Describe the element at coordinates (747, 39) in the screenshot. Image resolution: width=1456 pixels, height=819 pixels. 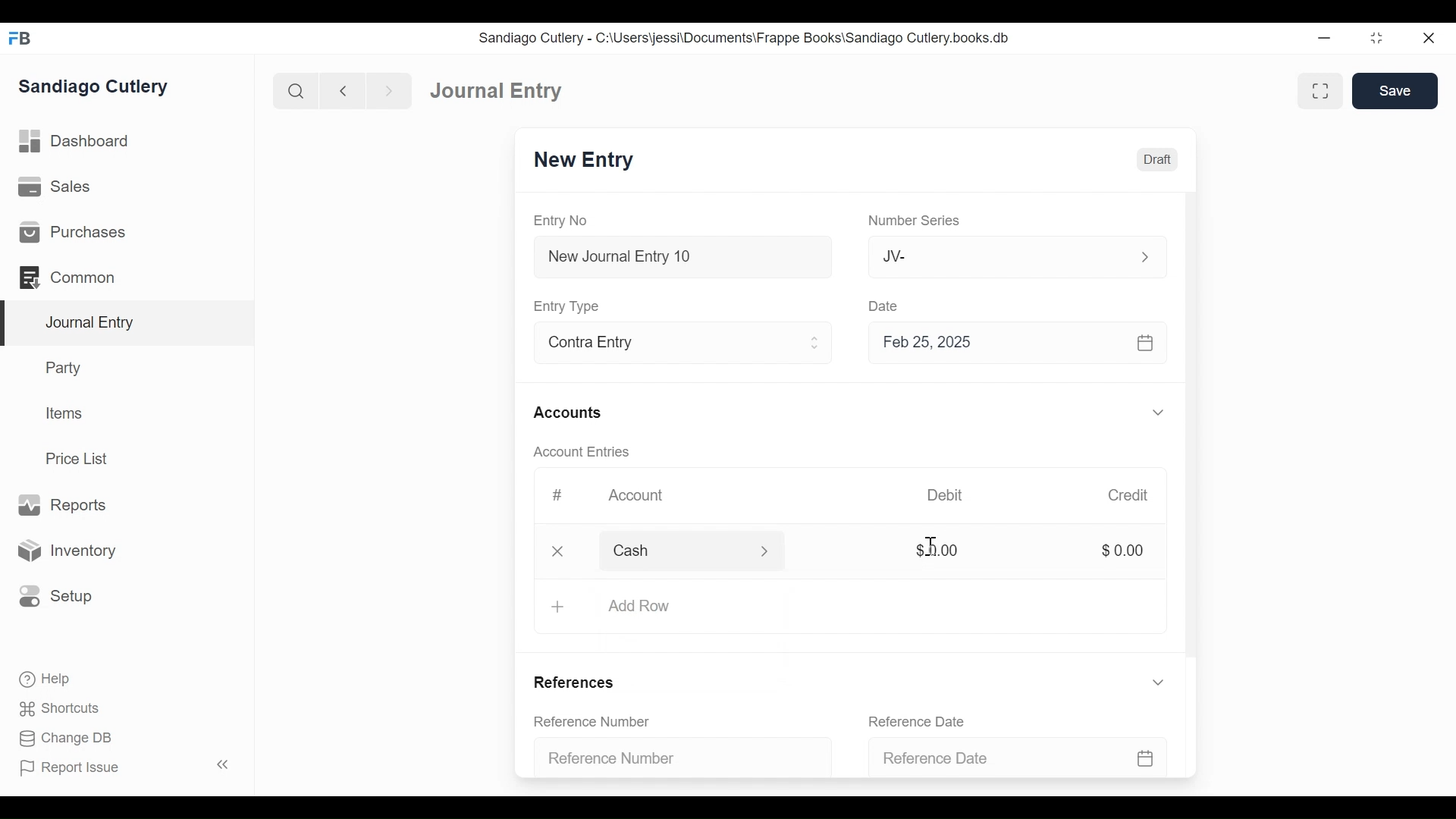
I see `Sandiago Cutlery - C:\Users\jessi\Documents\Frappe Books\Sandiago Cutlery.books.db` at that location.